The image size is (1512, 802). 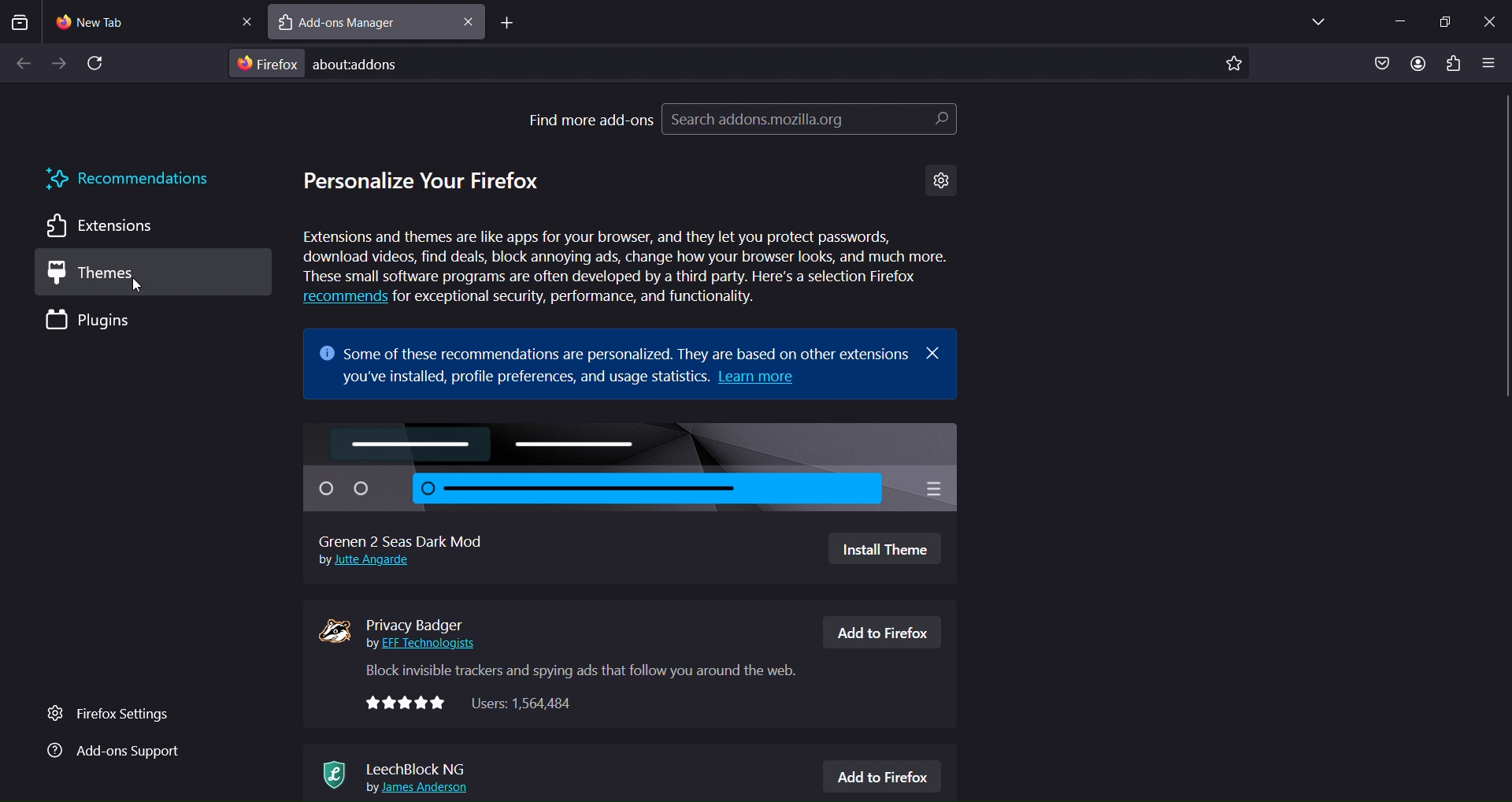 What do you see at coordinates (759, 379) in the screenshot?
I see `Learn more` at bounding box center [759, 379].